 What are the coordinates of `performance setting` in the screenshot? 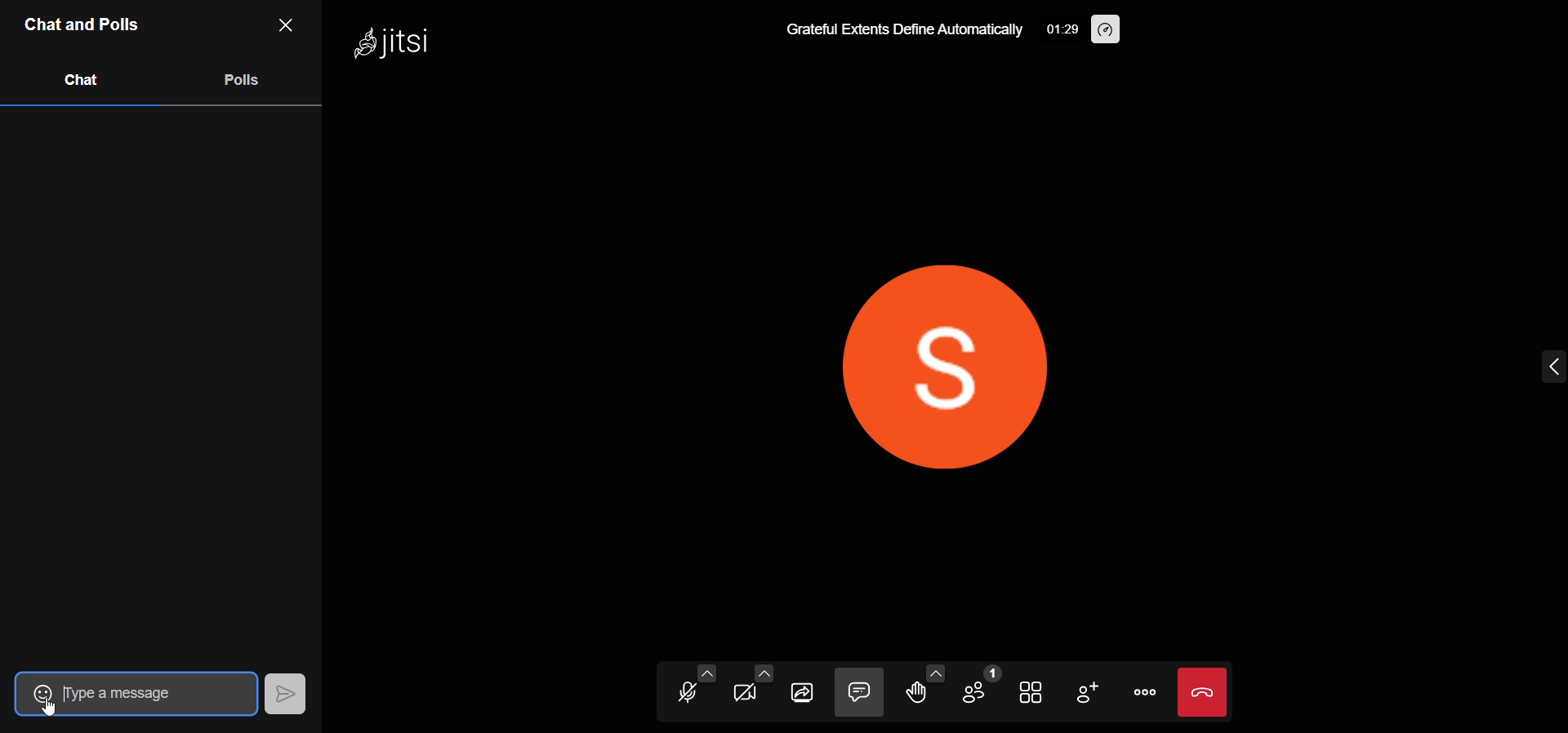 It's located at (1103, 29).